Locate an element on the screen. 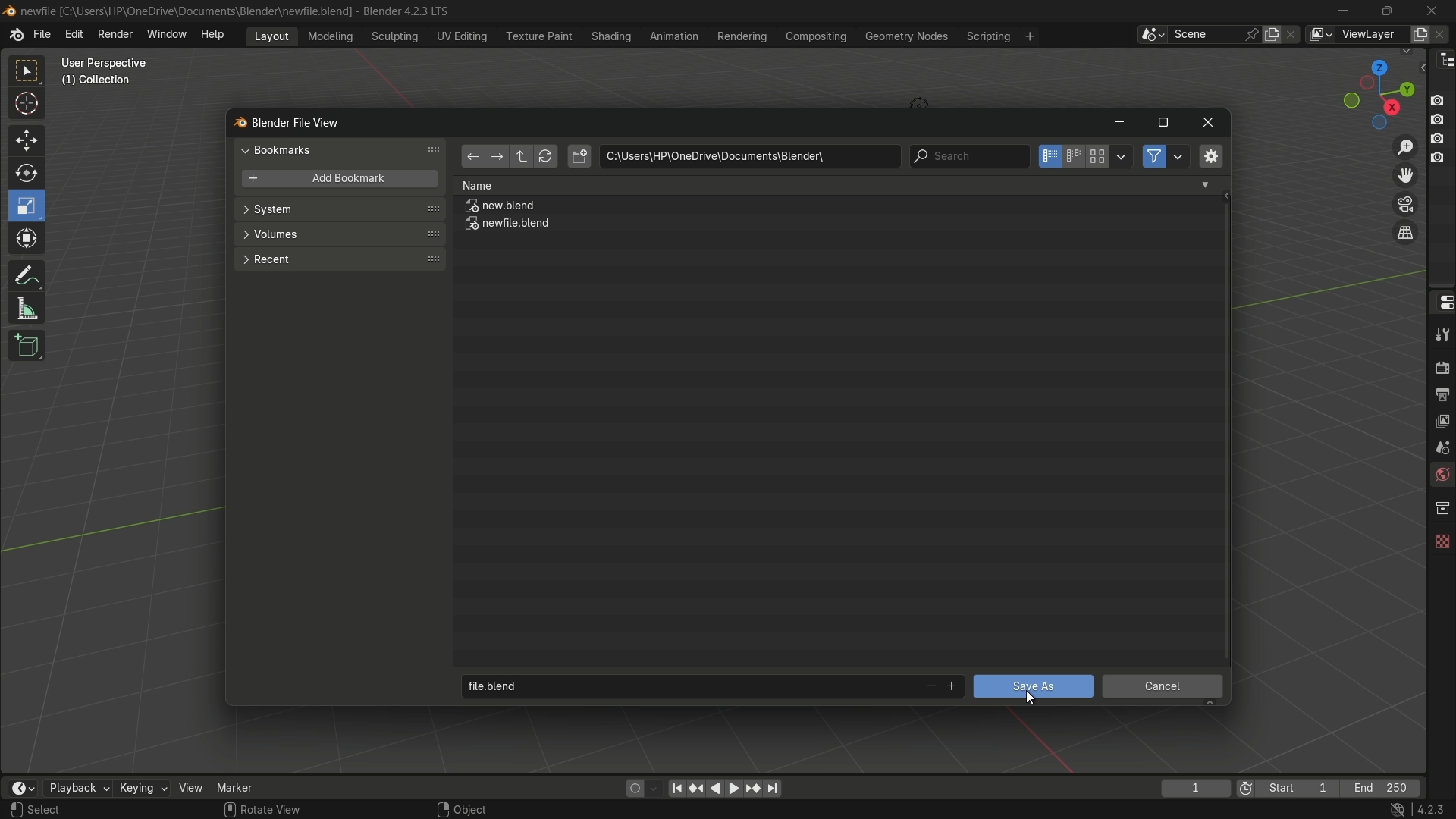 This screenshot has height=819, width=1456. render menu is located at coordinates (115, 33).